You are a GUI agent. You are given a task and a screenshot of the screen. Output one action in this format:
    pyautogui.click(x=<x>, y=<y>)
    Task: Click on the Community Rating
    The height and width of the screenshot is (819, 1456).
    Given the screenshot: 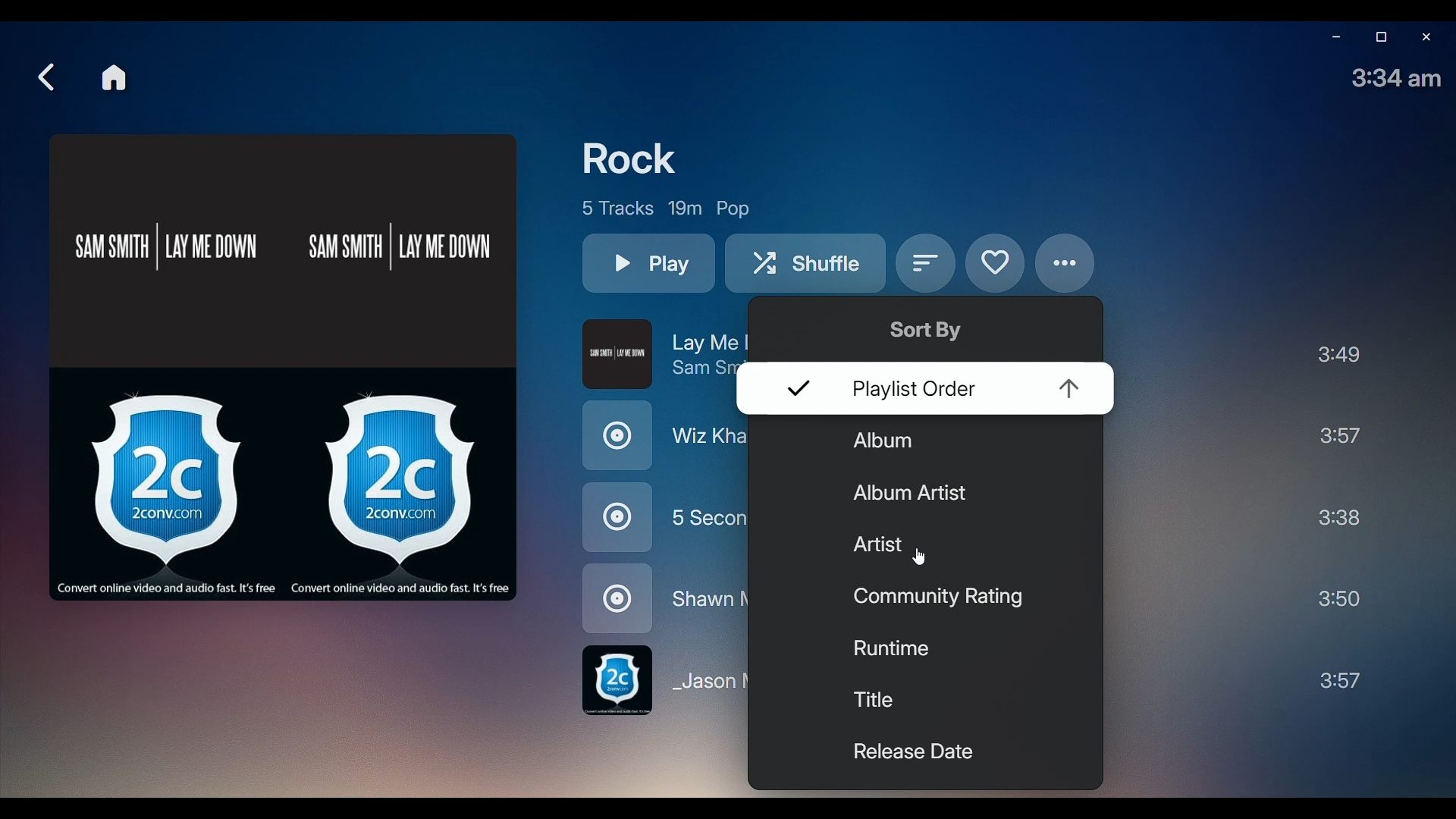 What is the action you would take?
    pyautogui.click(x=934, y=597)
    